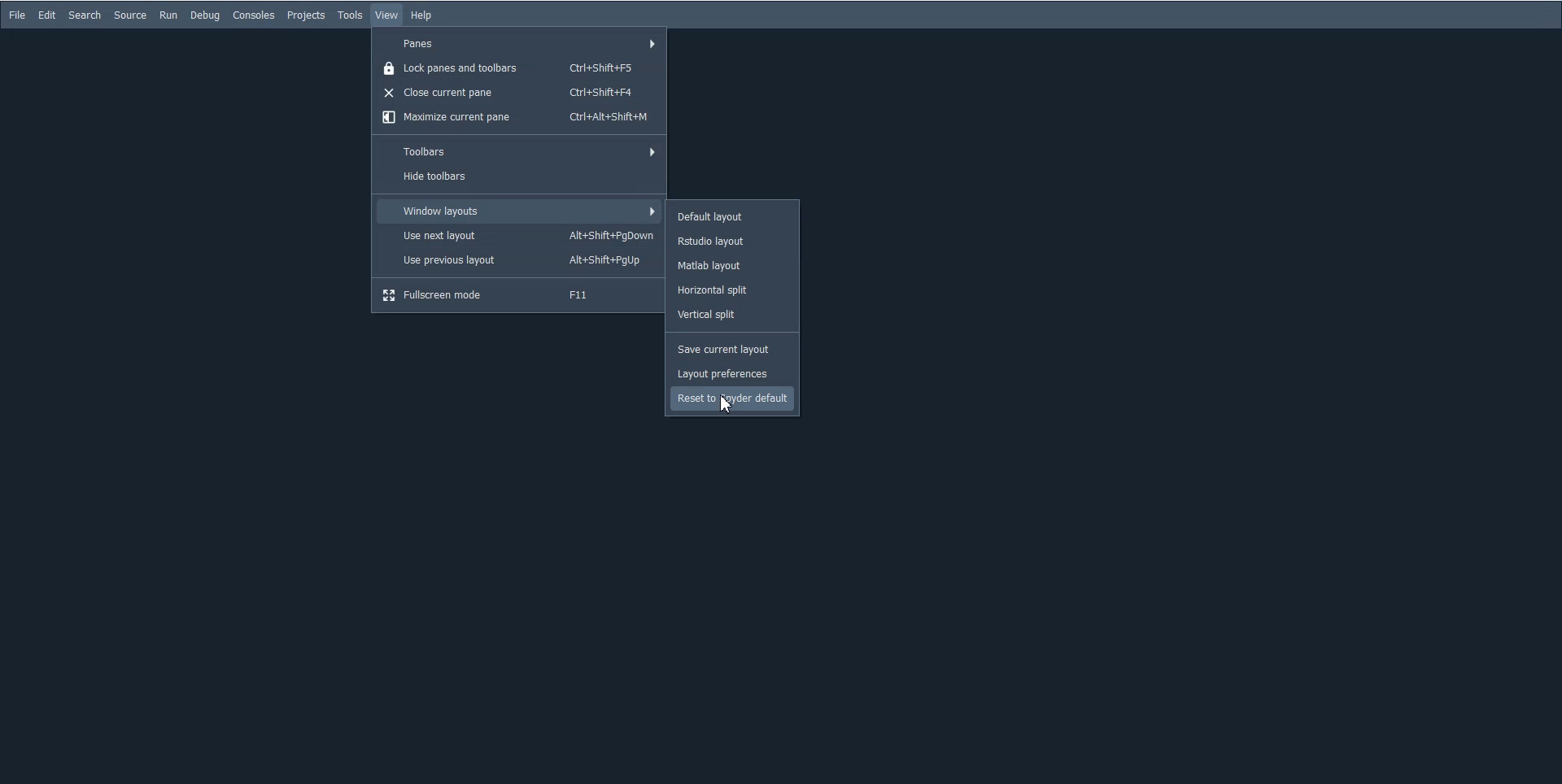 The height and width of the screenshot is (784, 1562). I want to click on Panes, so click(519, 41).